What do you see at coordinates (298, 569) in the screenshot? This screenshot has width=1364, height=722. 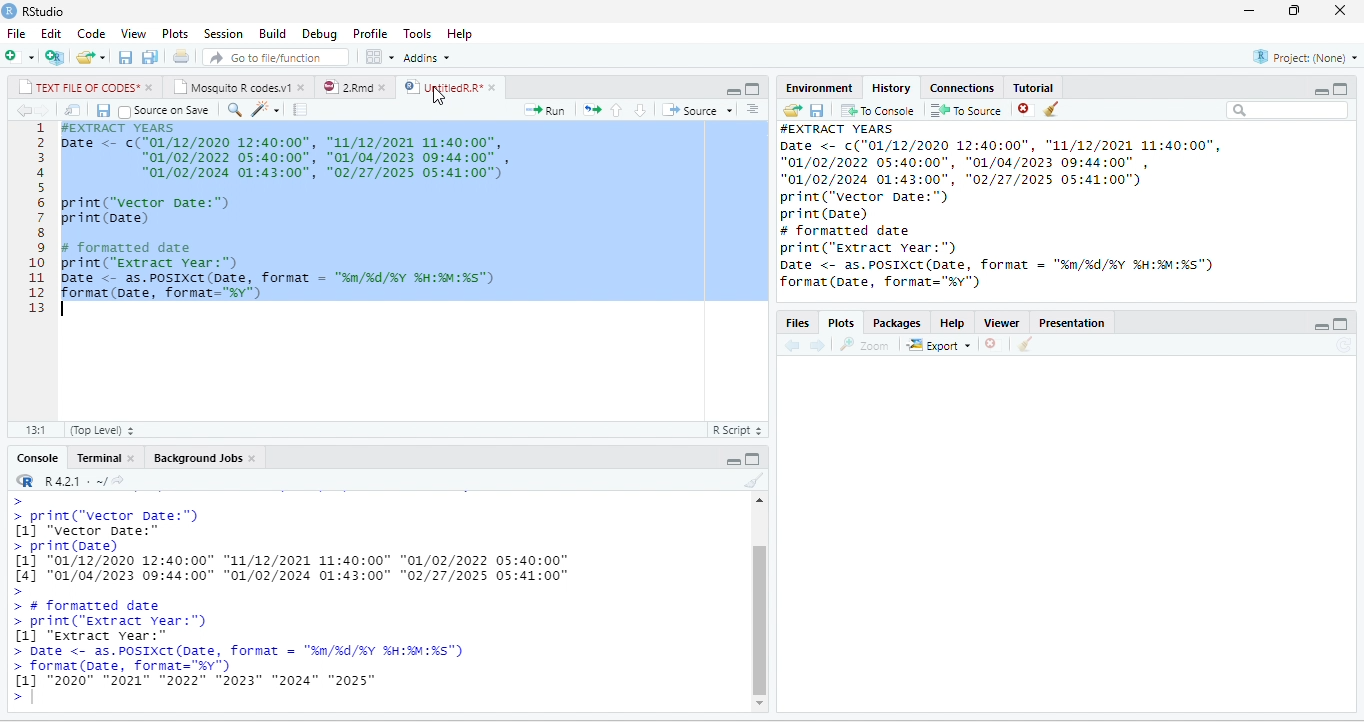 I see `> print(Date)[1] "01/12/2020 12:40:00" "11/12/2021 11:40:00" "01/02/2022 05:40:00"[4] "01/04/2023 09:44:00" "01/02/2024 01:43:00" "02/27/2025 05:41:00"` at bounding box center [298, 569].